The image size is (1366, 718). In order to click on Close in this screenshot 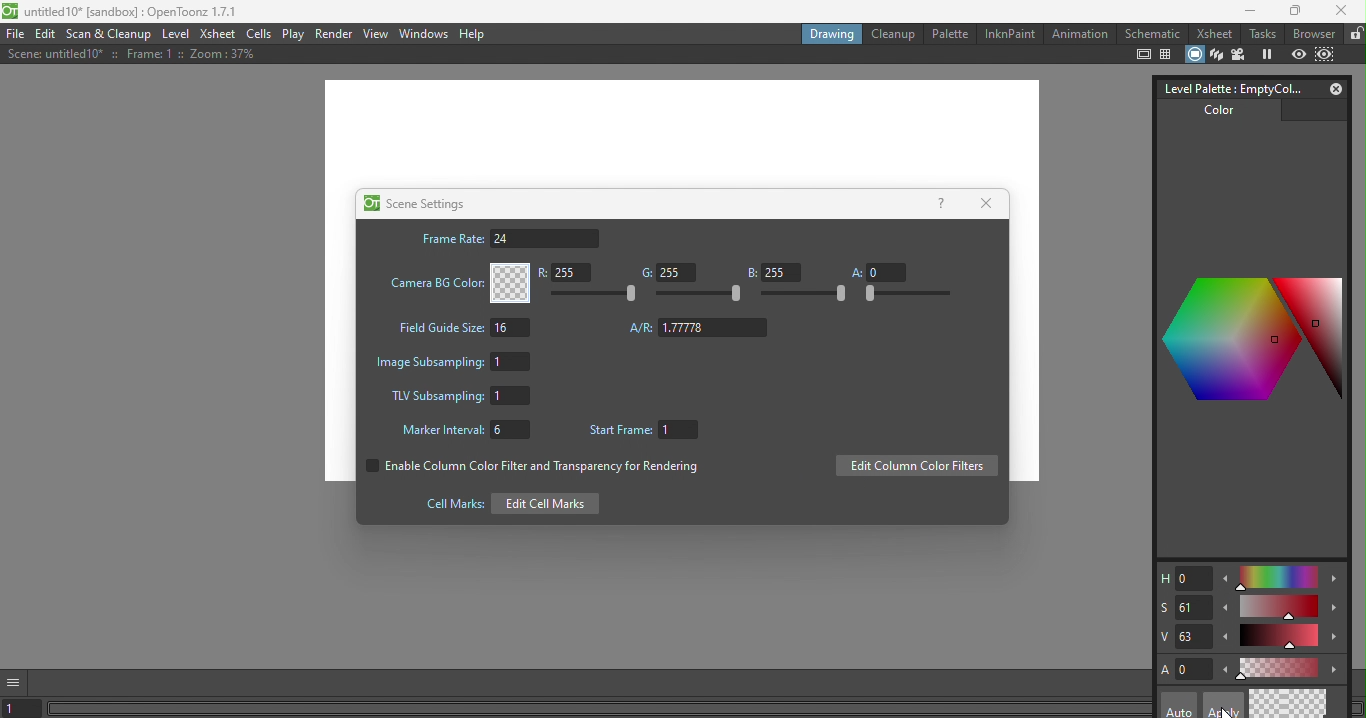, I will do `click(990, 202)`.